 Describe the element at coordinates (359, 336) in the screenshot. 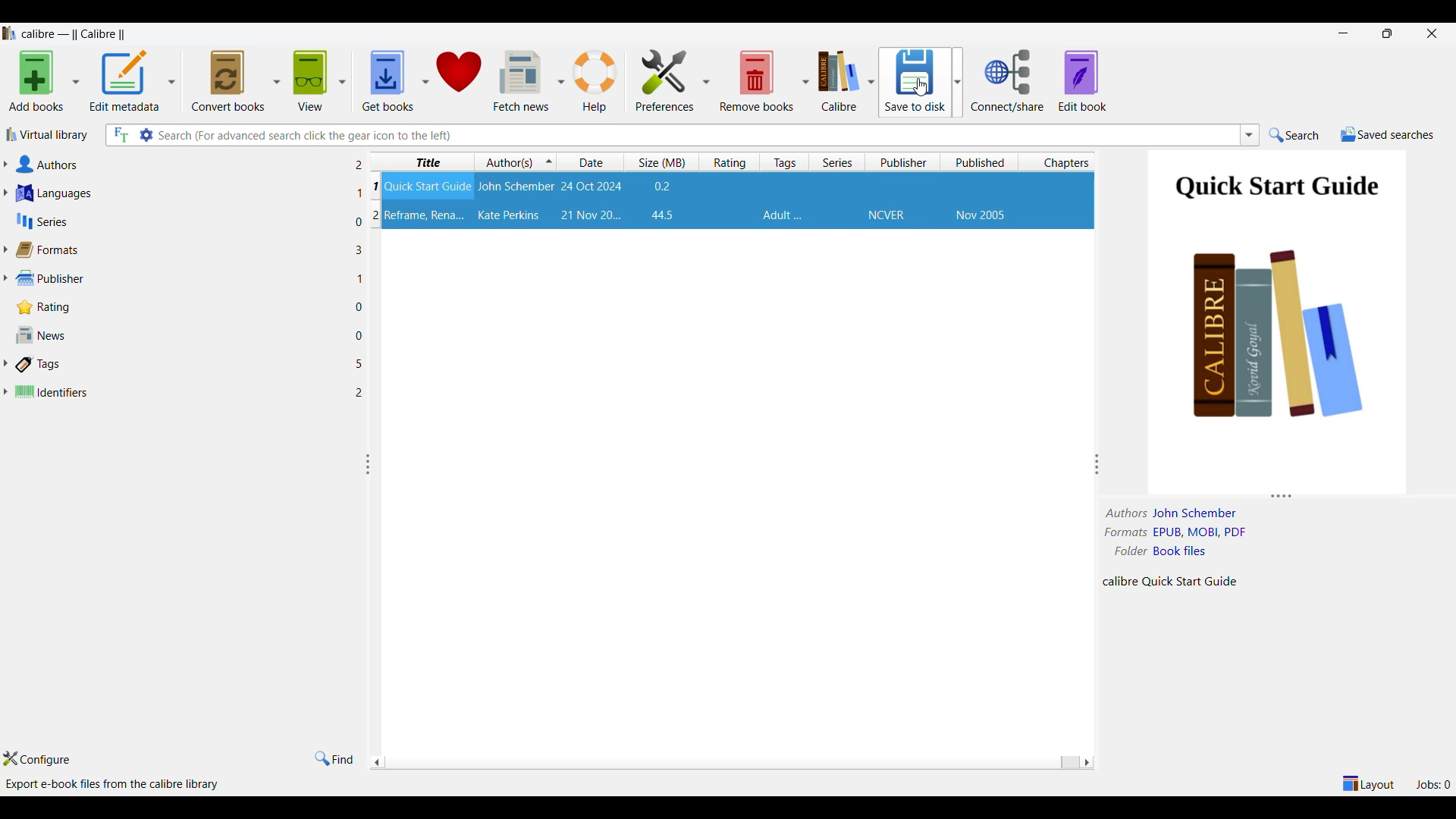

I see `0` at that location.